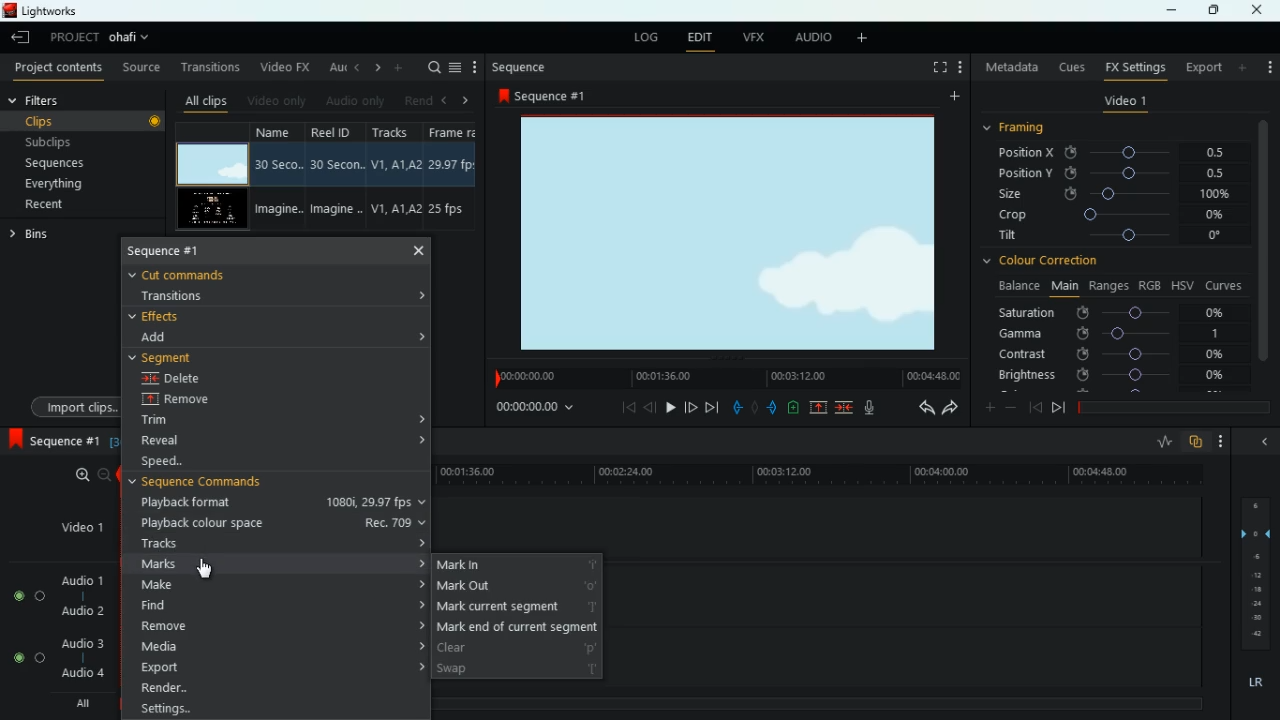 The height and width of the screenshot is (720, 1280). I want to click on project ohafi, so click(106, 39).